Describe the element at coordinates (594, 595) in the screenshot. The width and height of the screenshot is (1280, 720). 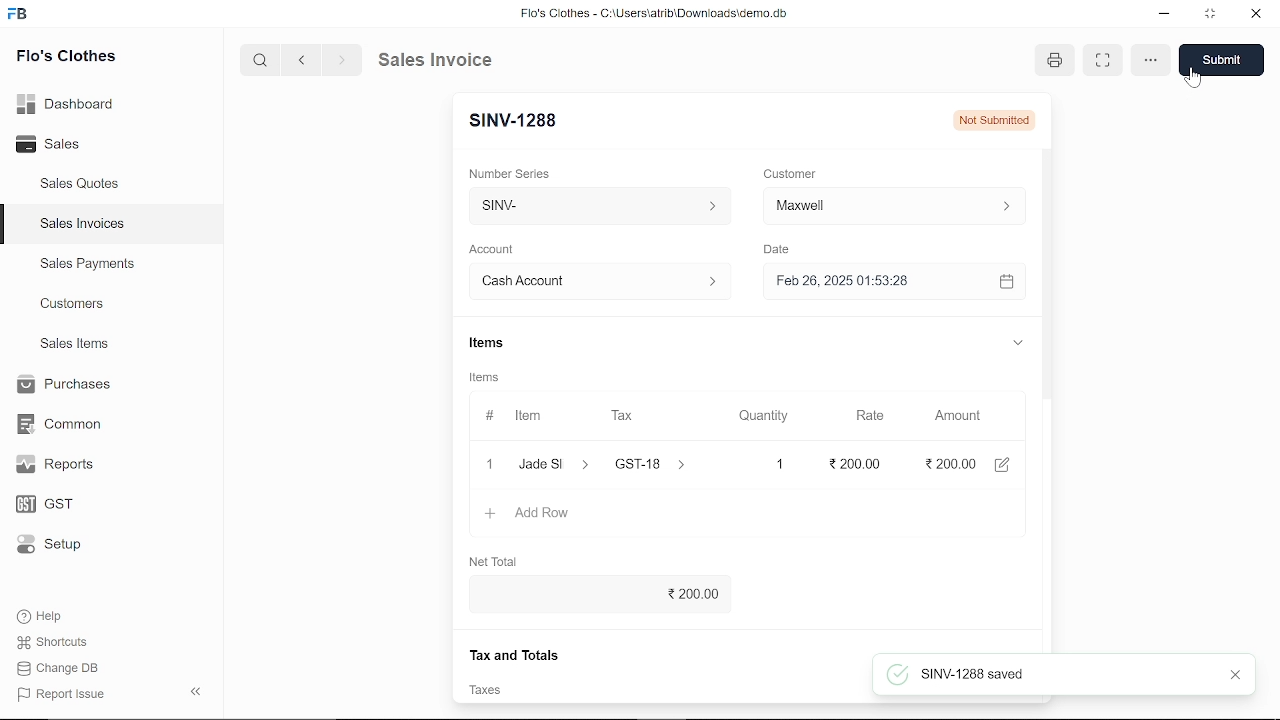
I see `200.00` at that location.